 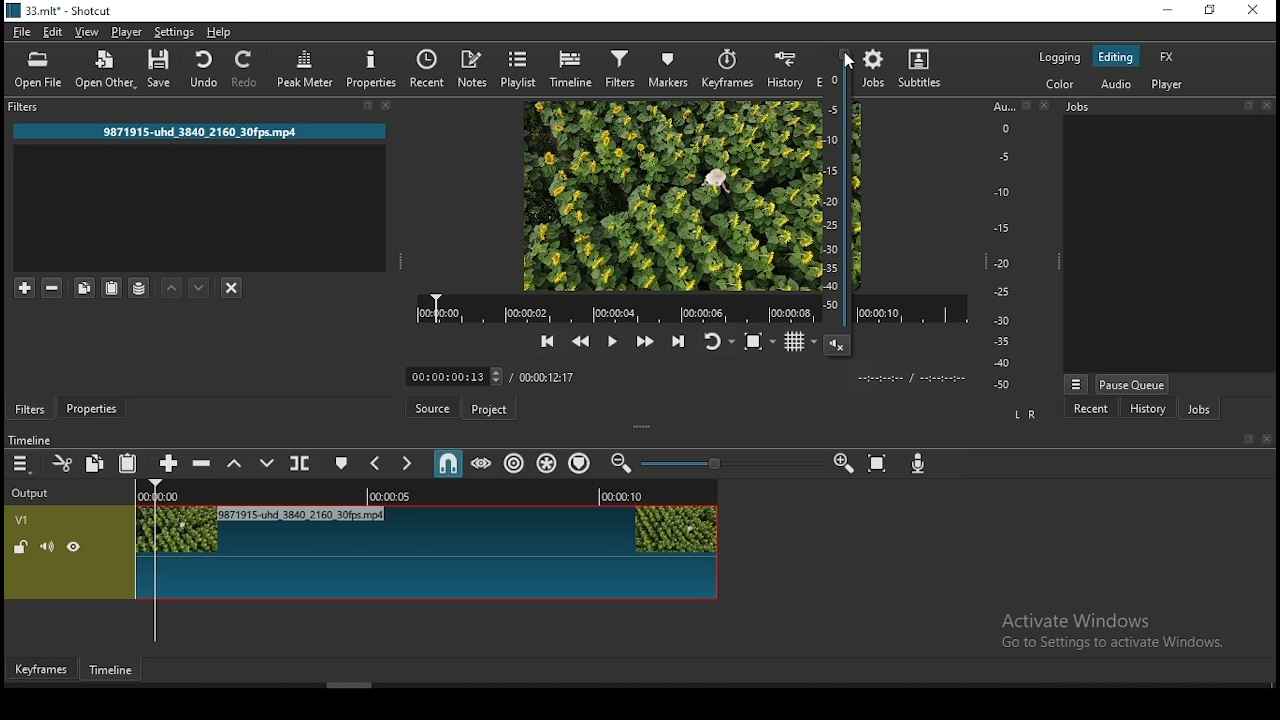 What do you see at coordinates (56, 31) in the screenshot?
I see `edit` at bounding box center [56, 31].